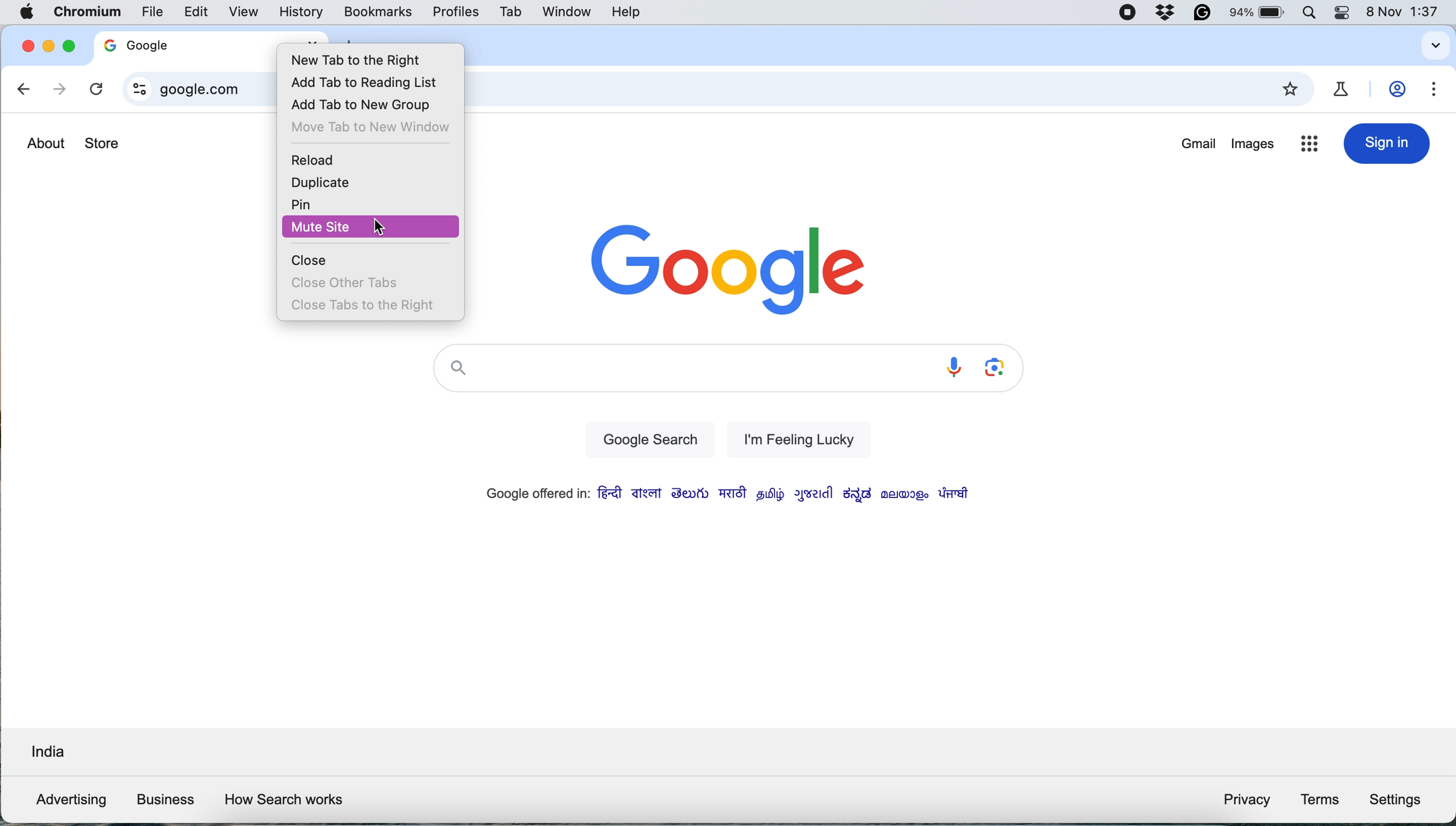 The width and height of the screenshot is (1456, 826). I want to click on tab, so click(512, 12).